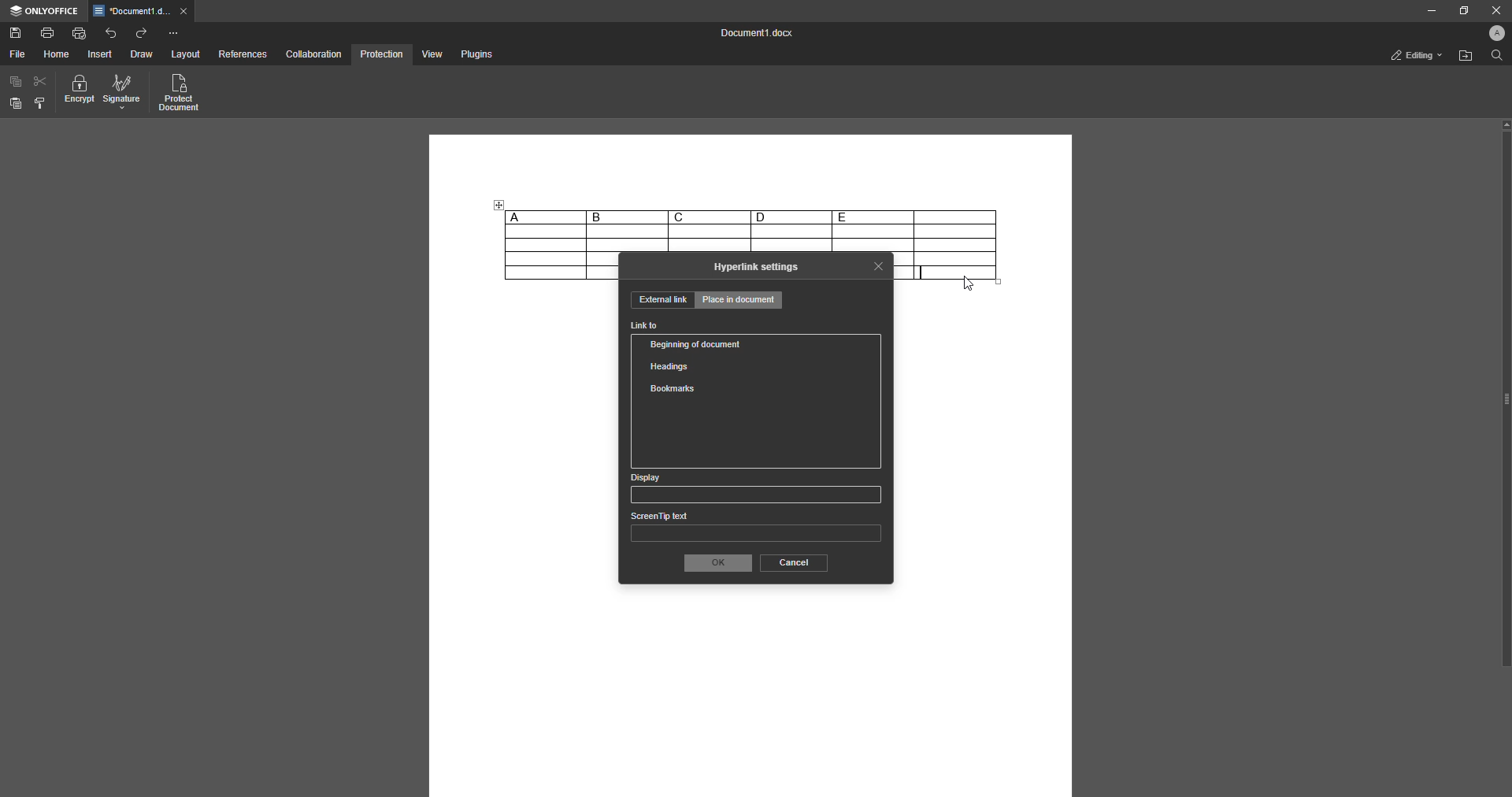 The width and height of the screenshot is (1512, 797). Describe the element at coordinates (57, 54) in the screenshot. I see `Home` at that location.